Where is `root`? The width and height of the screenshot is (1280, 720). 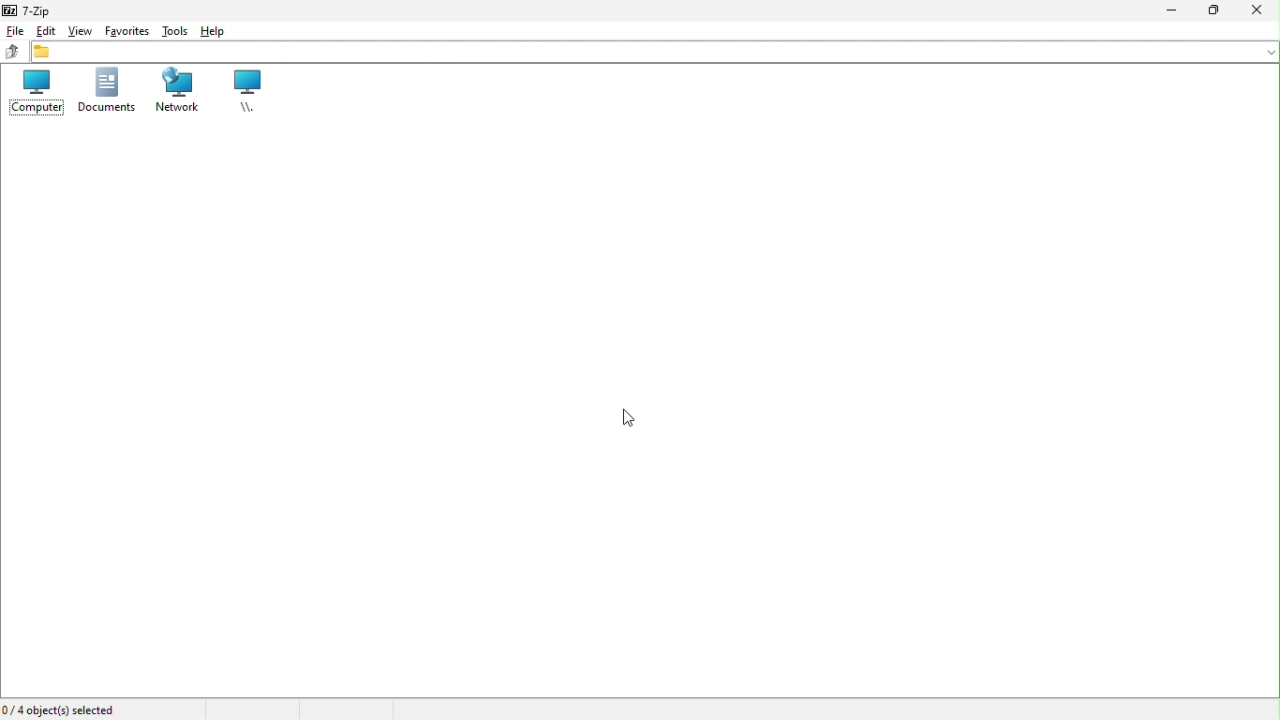 root is located at coordinates (251, 93).